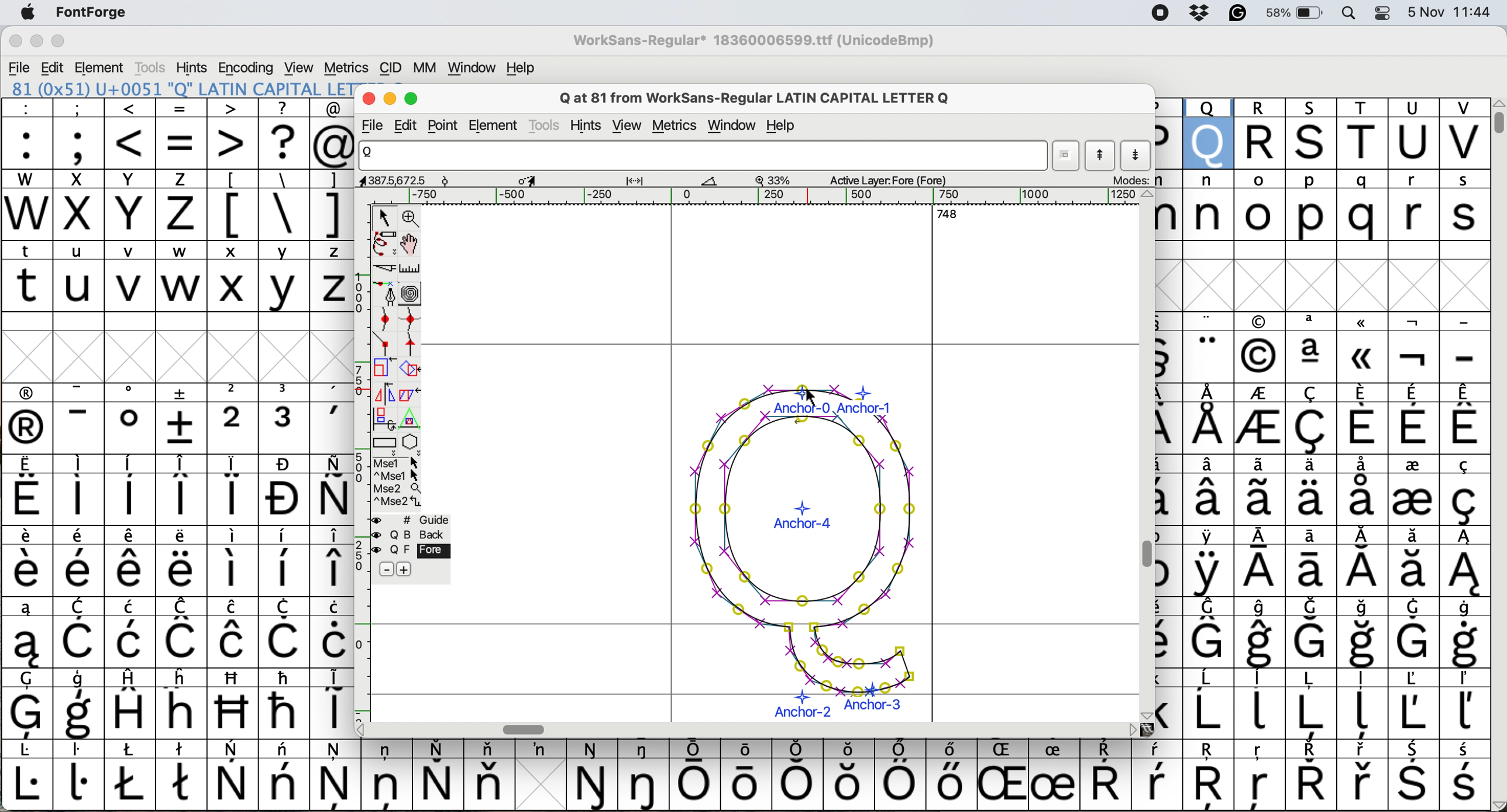 This screenshot has height=812, width=1507. Describe the element at coordinates (112, 180) in the screenshot. I see `uppercase letters` at that location.